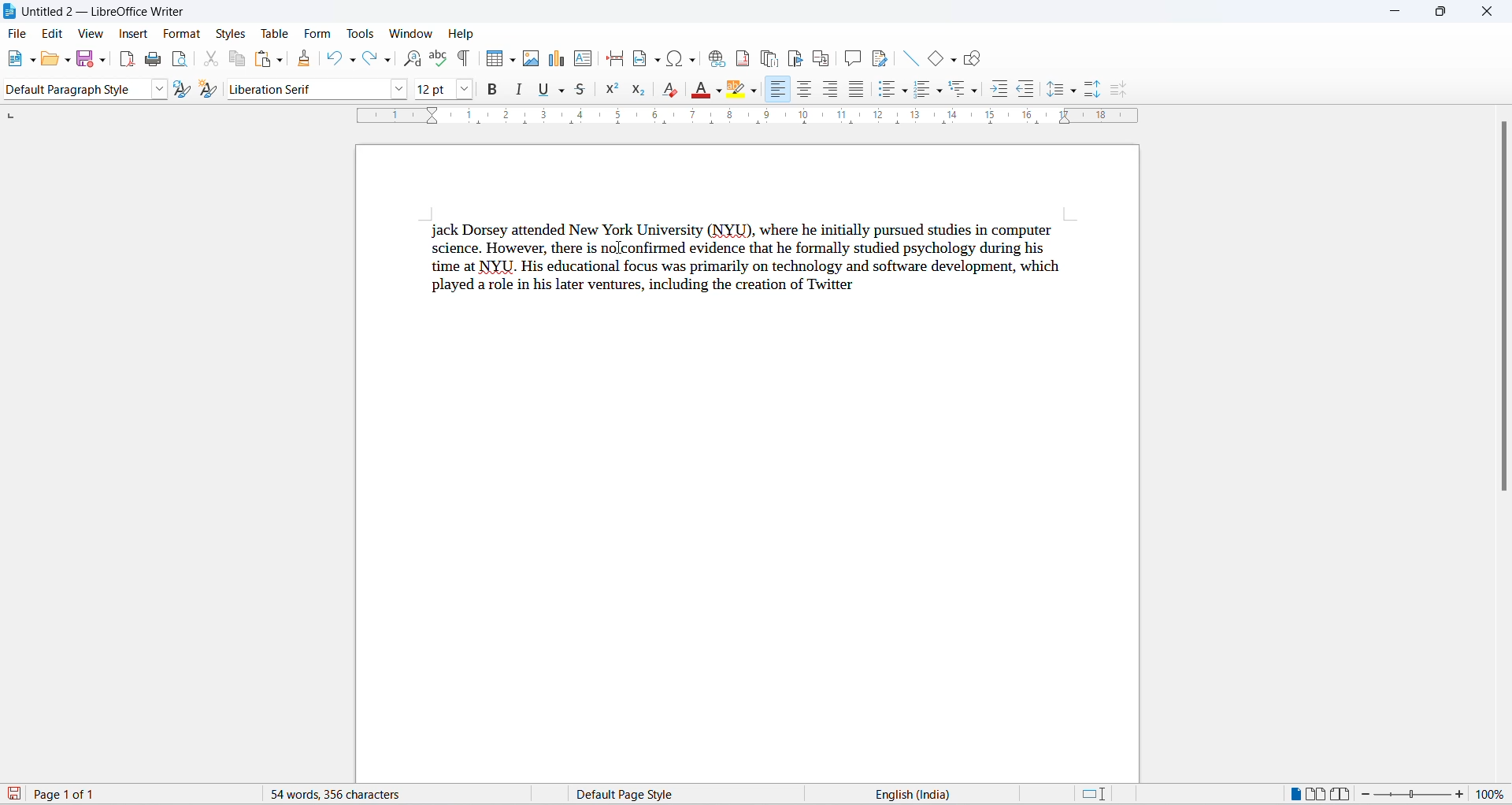 Image resolution: width=1512 pixels, height=805 pixels. Describe the element at coordinates (494, 90) in the screenshot. I see `bold` at that location.